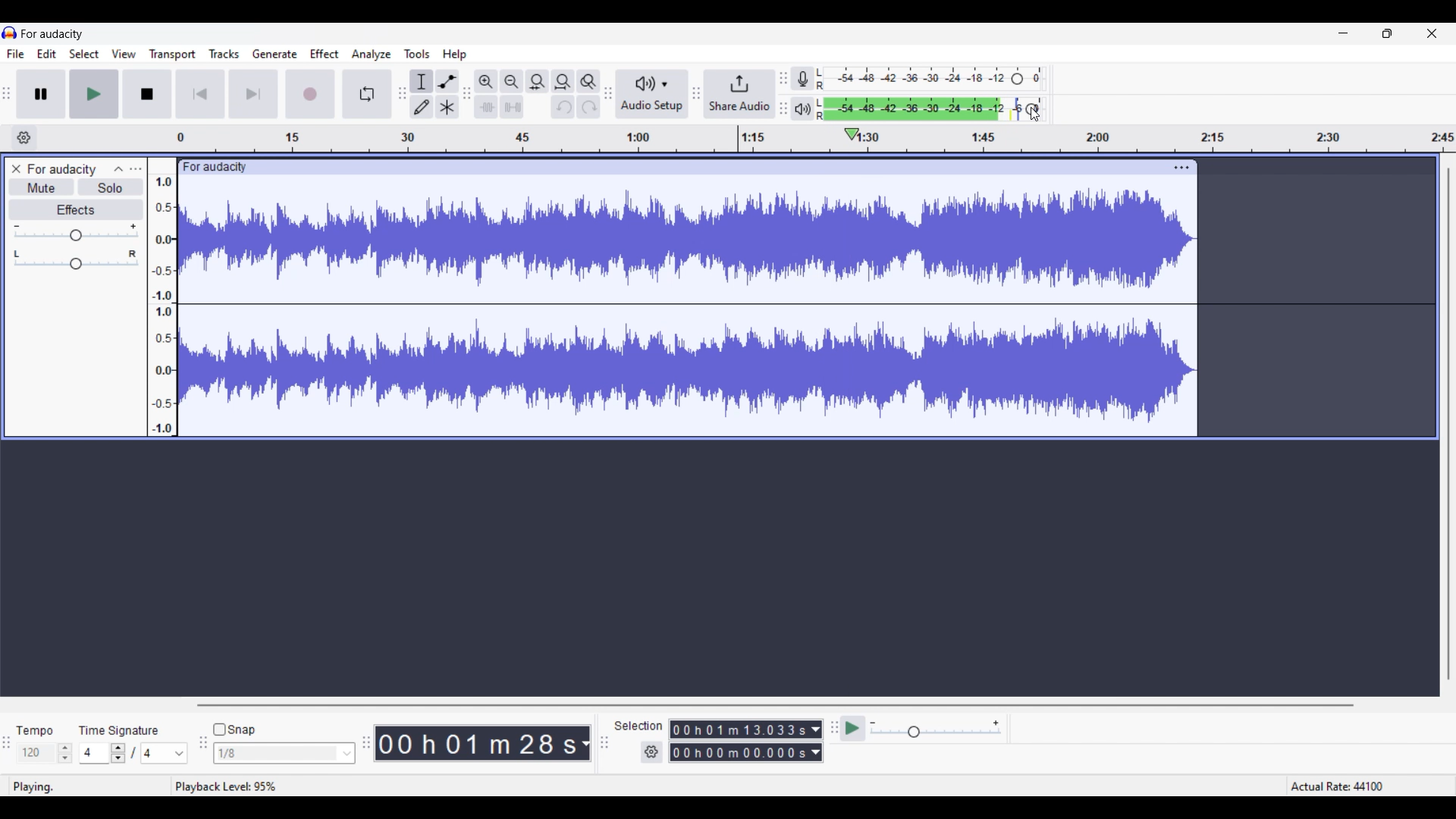 Image resolution: width=1456 pixels, height=819 pixels. What do you see at coordinates (17, 168) in the screenshot?
I see `Close track` at bounding box center [17, 168].